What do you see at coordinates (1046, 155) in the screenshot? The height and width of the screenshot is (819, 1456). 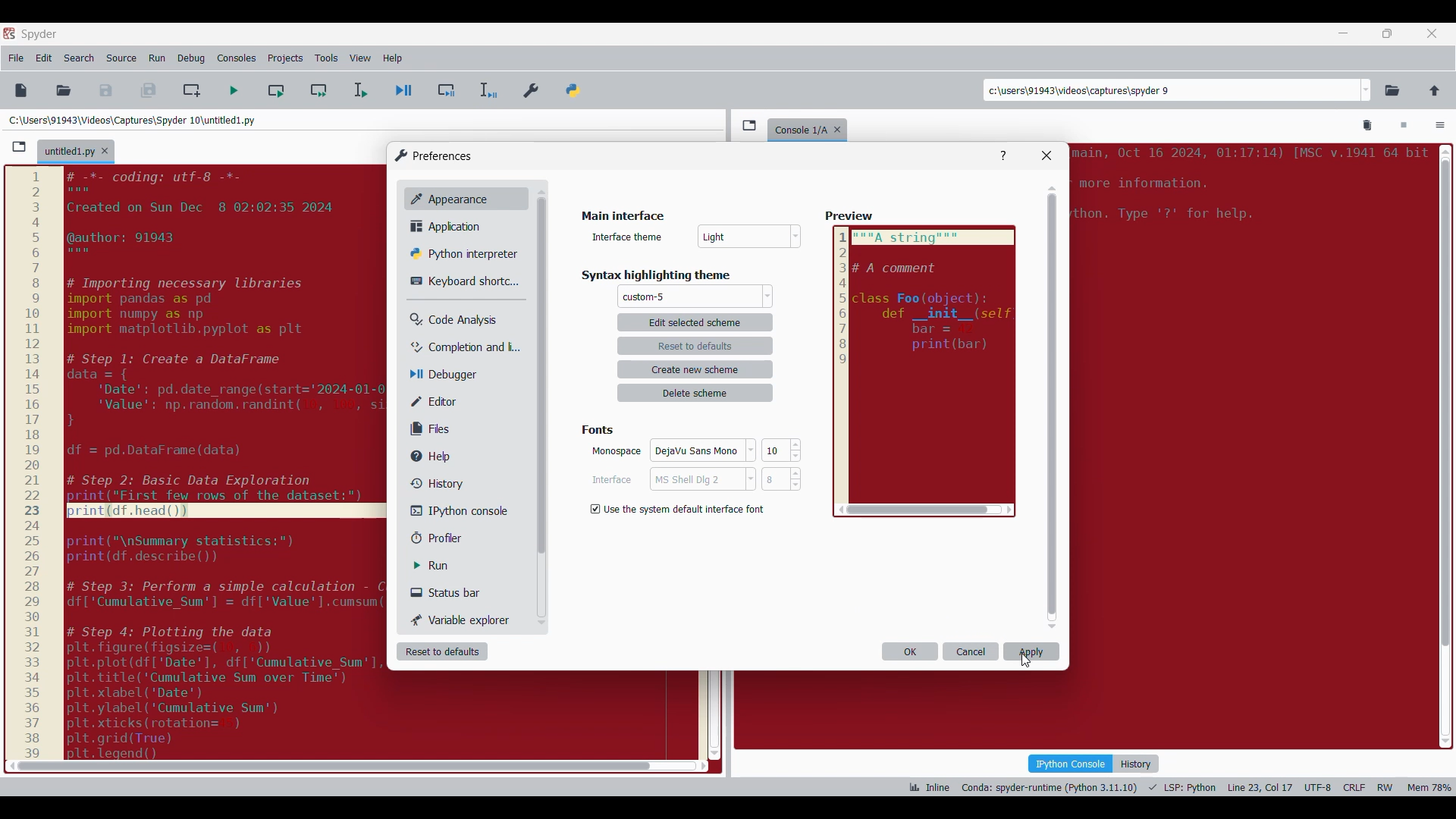 I see `Close` at bounding box center [1046, 155].